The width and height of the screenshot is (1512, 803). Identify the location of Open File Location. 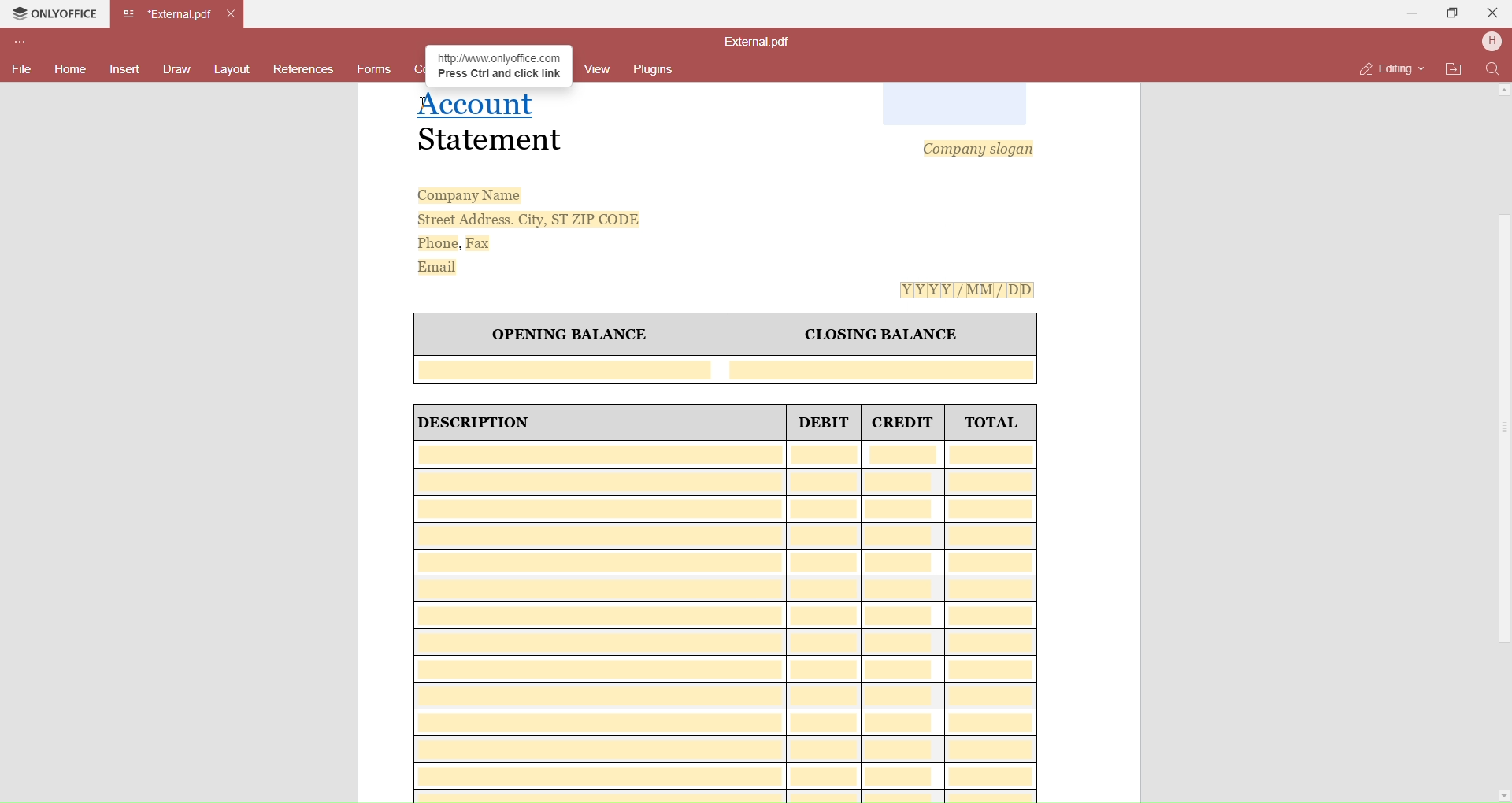
(1455, 70).